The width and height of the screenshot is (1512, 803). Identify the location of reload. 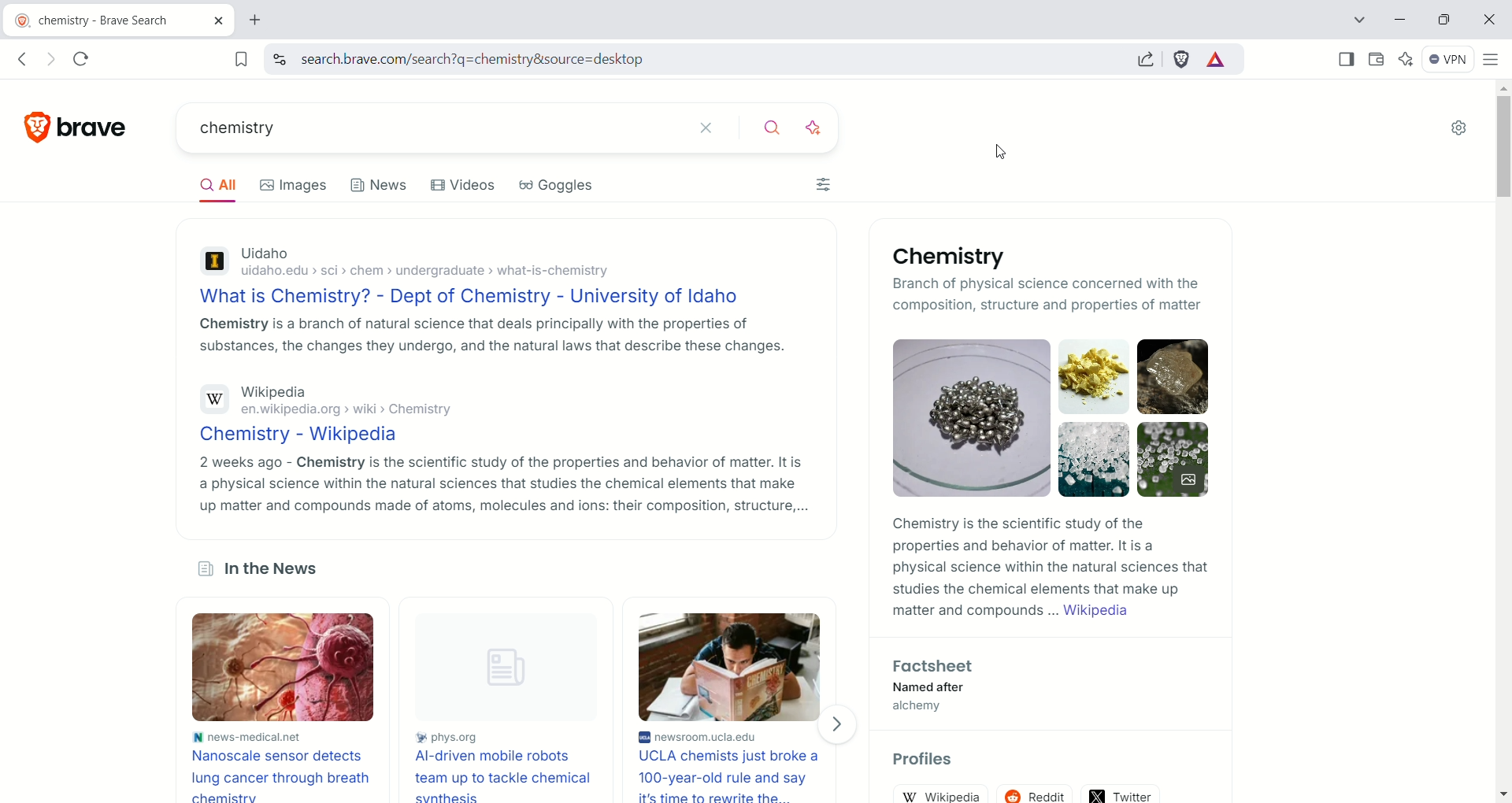
(87, 58).